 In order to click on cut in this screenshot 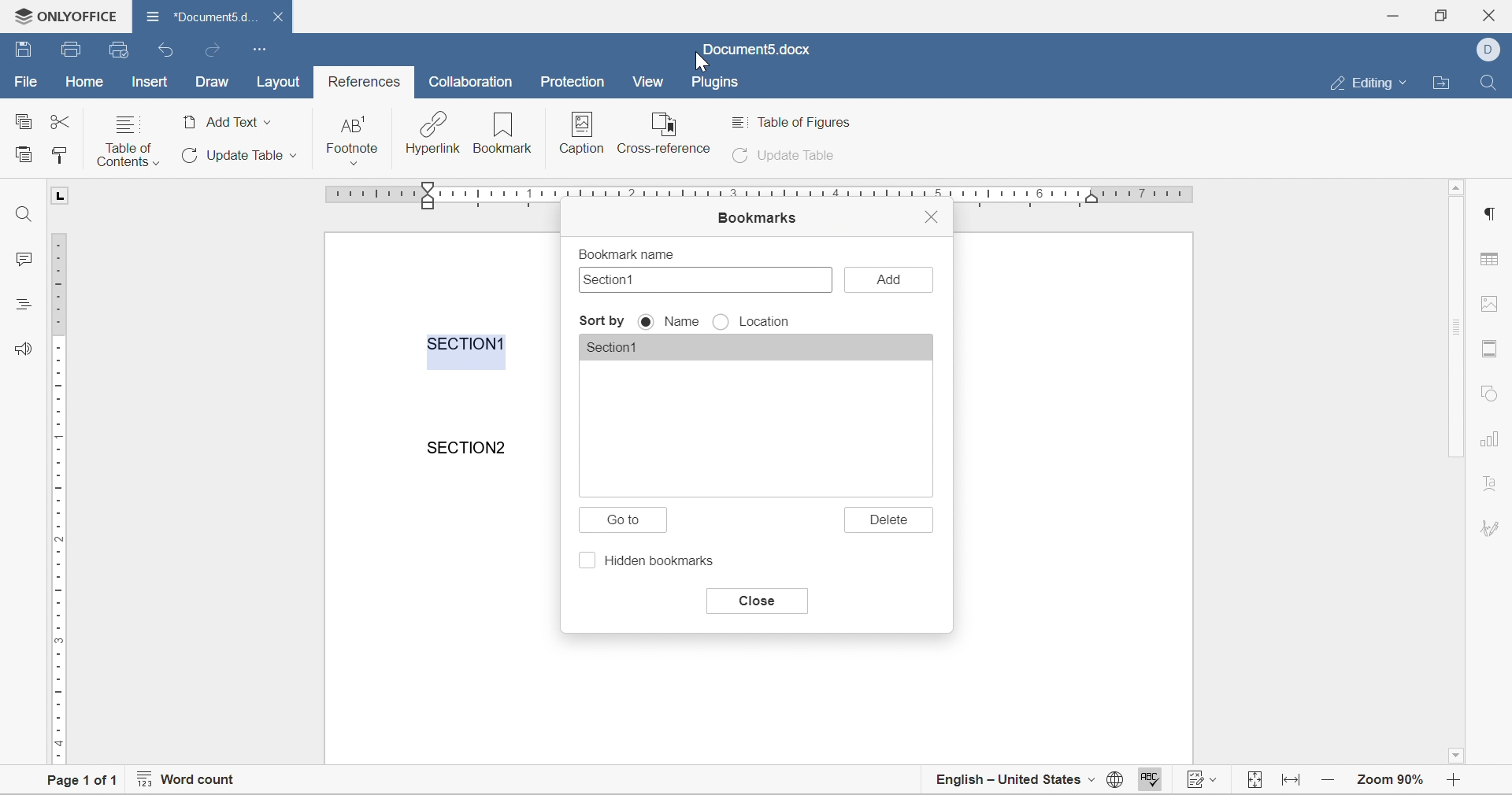, I will do `click(60, 121)`.